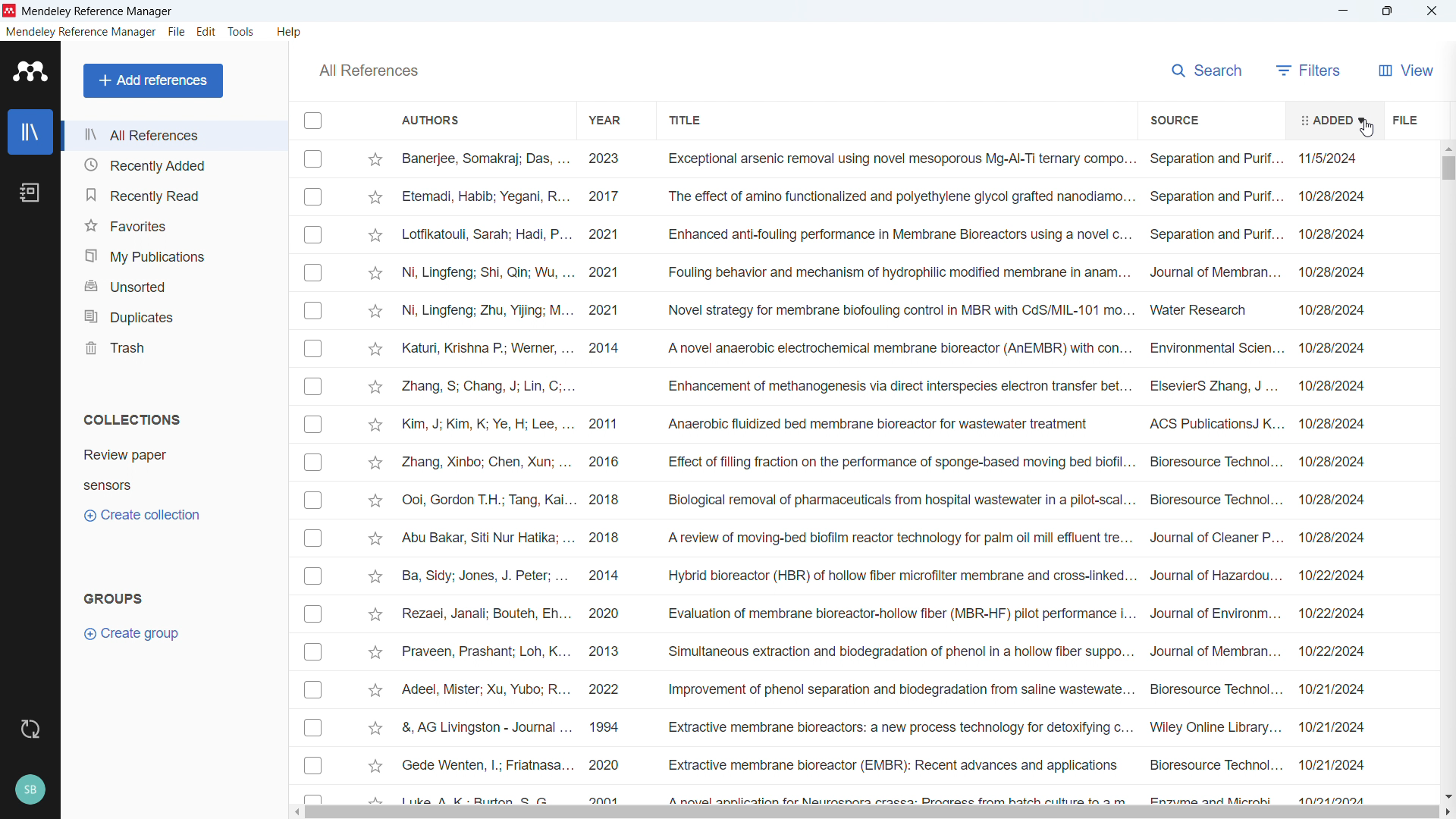 The height and width of the screenshot is (819, 1456). Describe the element at coordinates (1448, 169) in the screenshot. I see `vertical scrollbar ` at that location.